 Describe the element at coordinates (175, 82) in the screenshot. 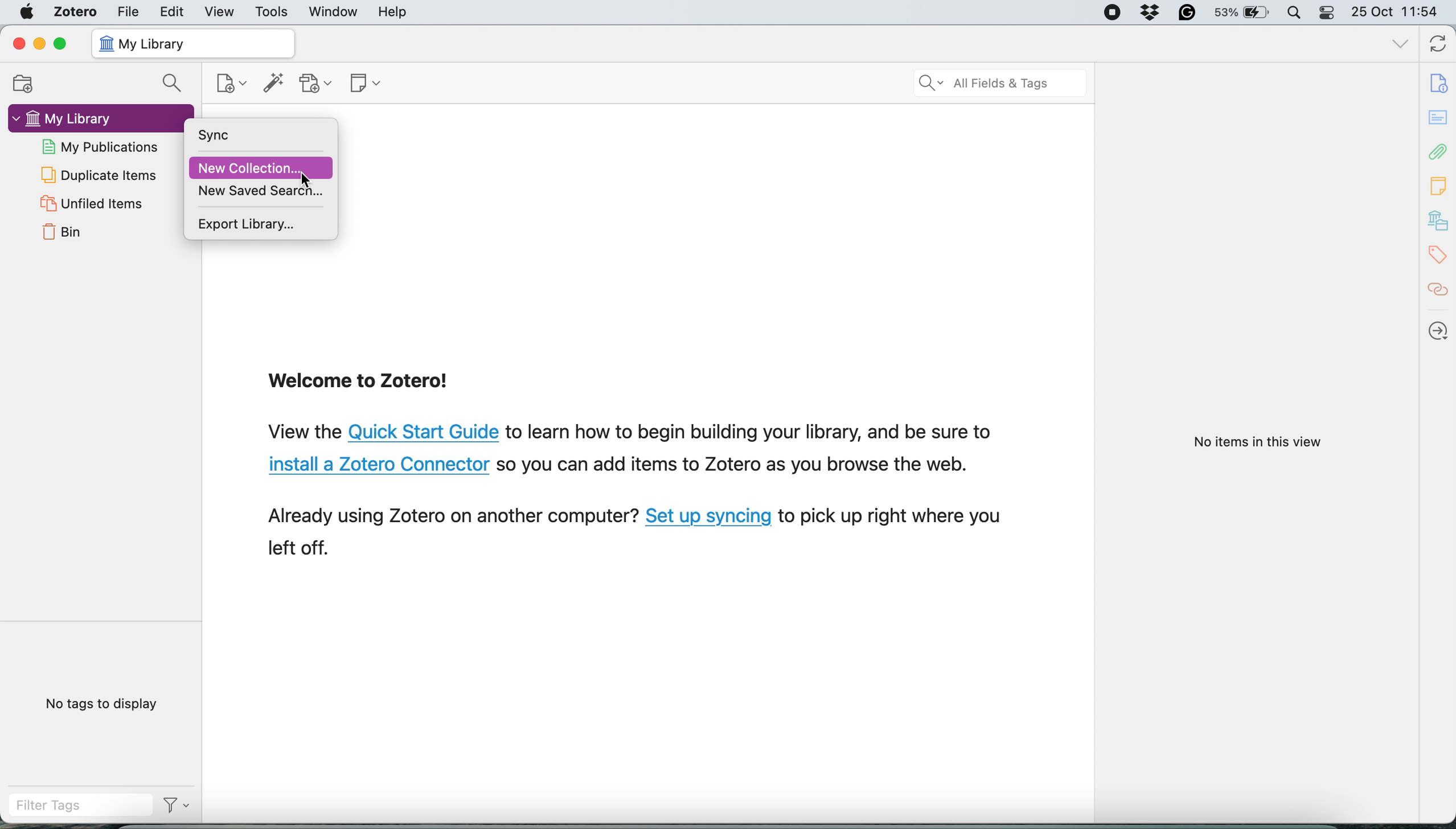

I see `search` at that location.